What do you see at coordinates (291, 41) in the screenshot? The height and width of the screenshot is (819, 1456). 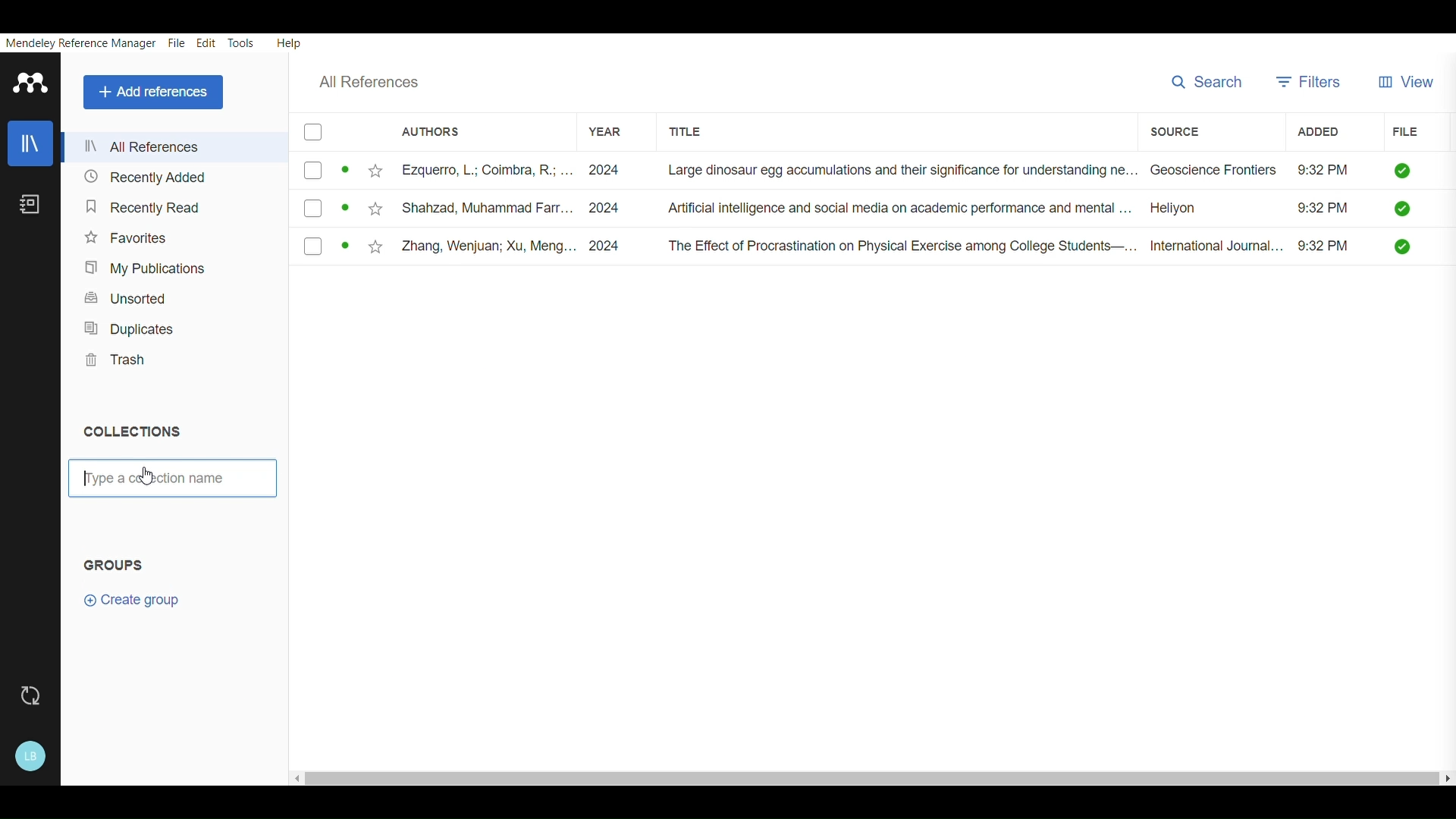 I see `Help` at bounding box center [291, 41].